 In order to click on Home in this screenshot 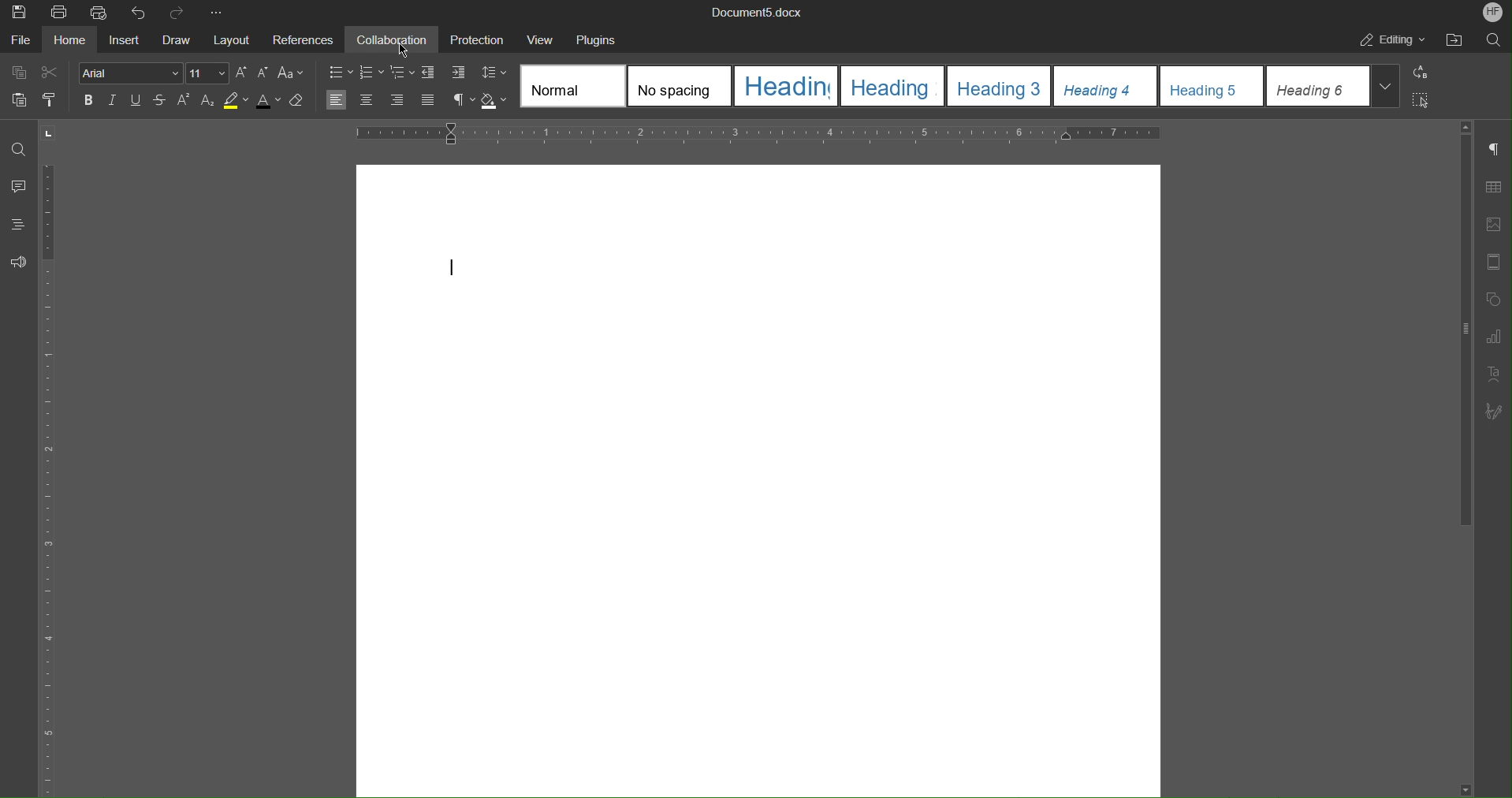, I will do `click(76, 42)`.